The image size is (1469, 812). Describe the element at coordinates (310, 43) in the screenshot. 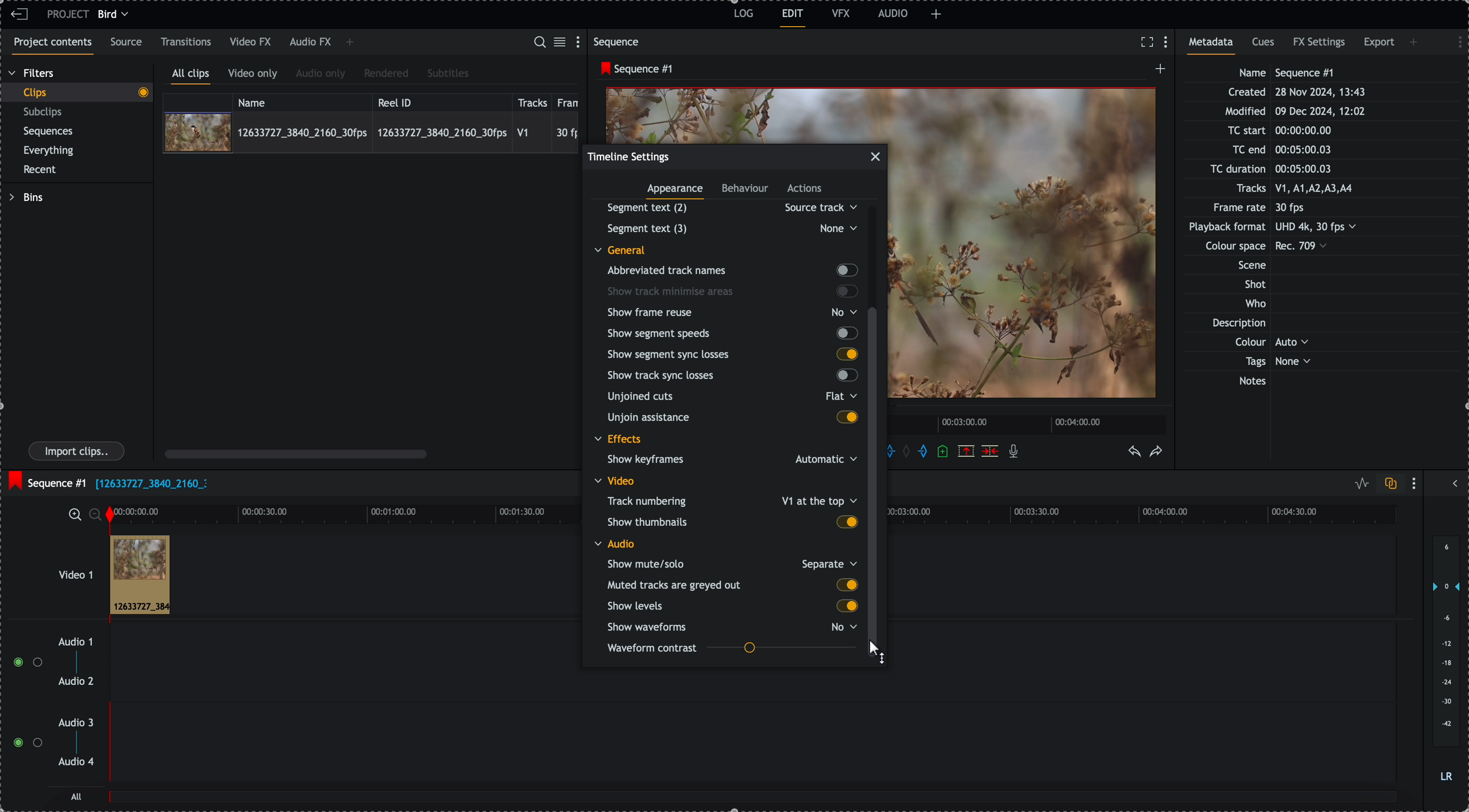

I see `audio FX` at that location.